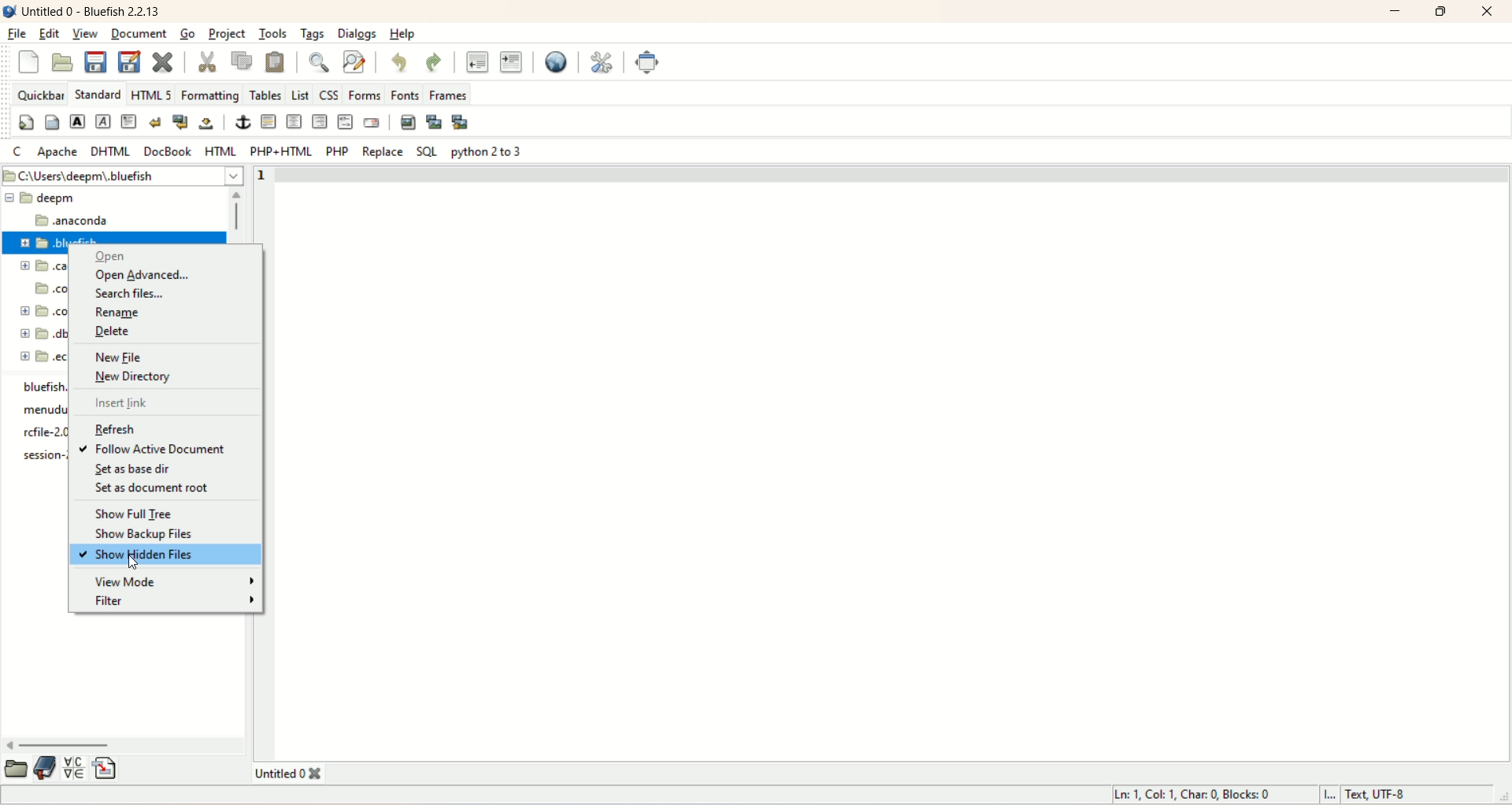 The width and height of the screenshot is (1512, 805). Describe the element at coordinates (292, 121) in the screenshot. I see `center` at that location.